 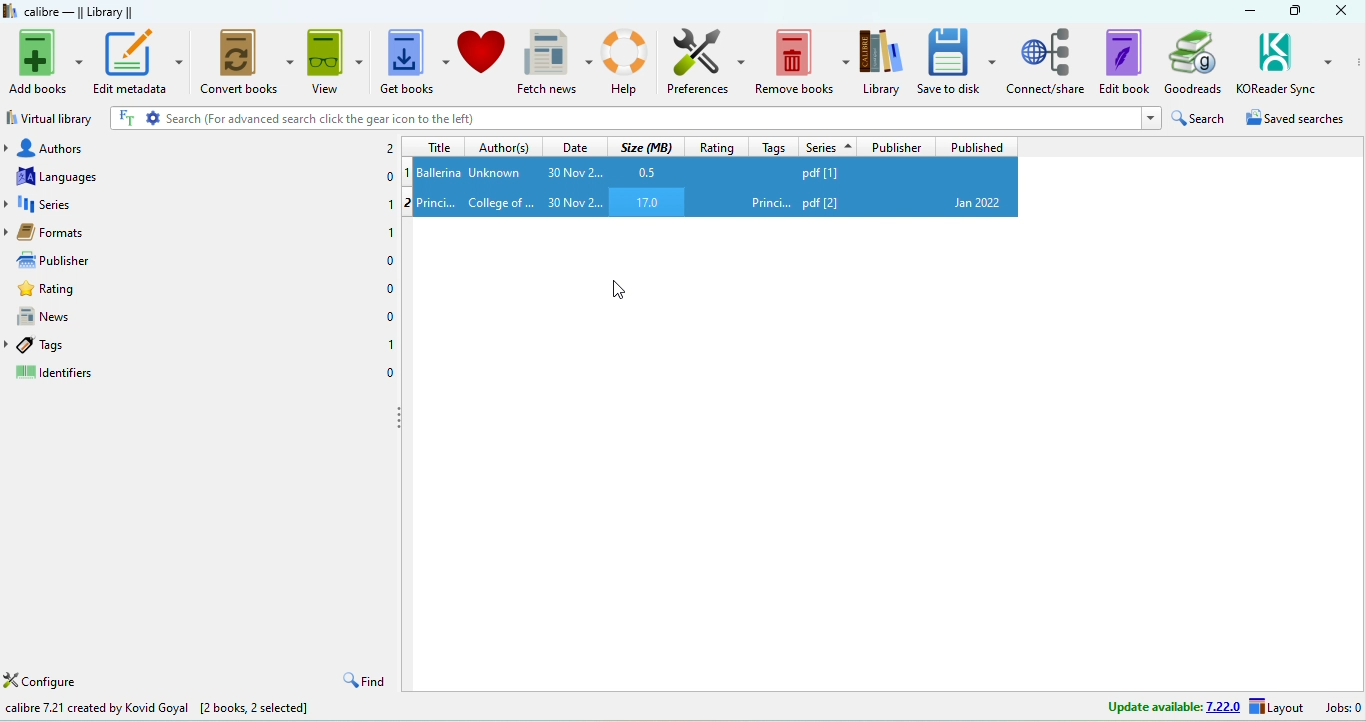 I want to click on 0.5, so click(x=646, y=170).